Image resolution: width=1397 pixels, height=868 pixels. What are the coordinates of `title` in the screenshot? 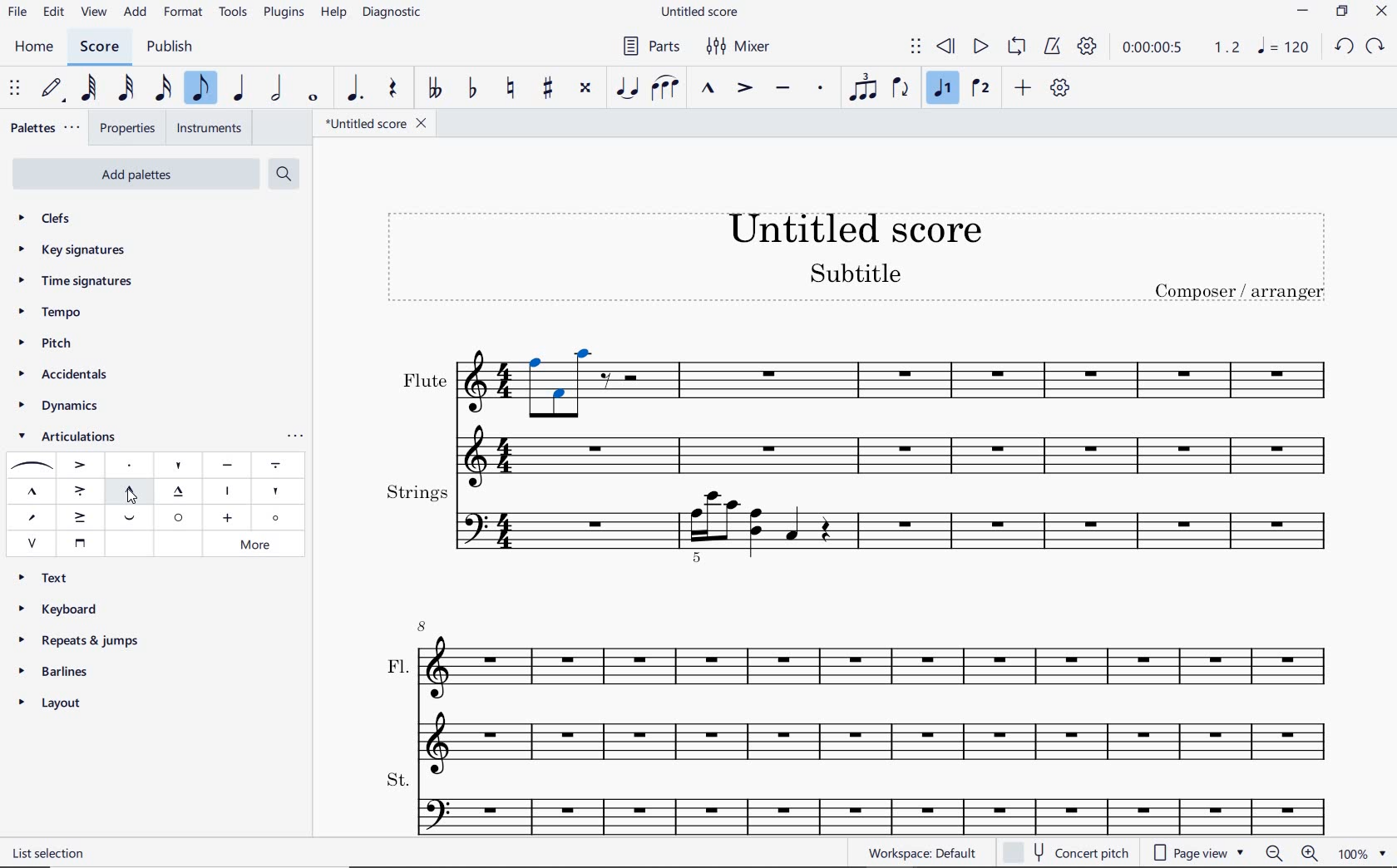 It's located at (861, 263).